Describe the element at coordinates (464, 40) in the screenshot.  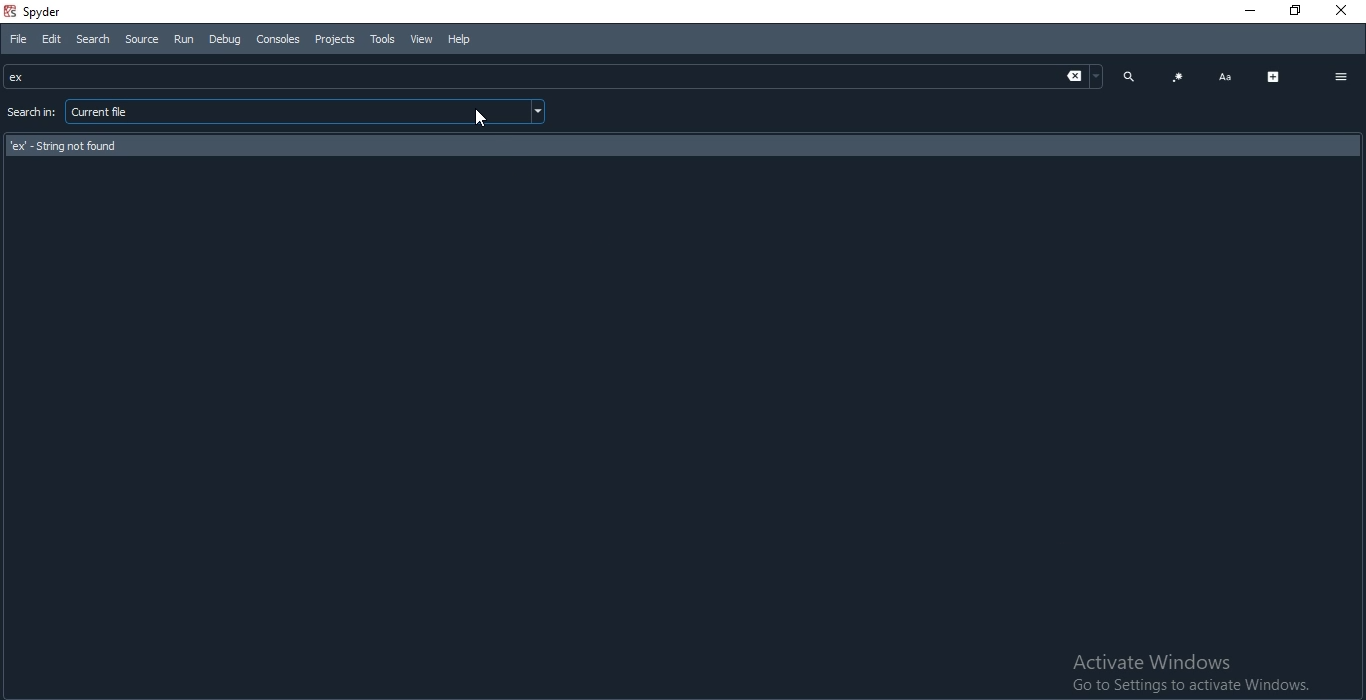
I see `Help` at that location.